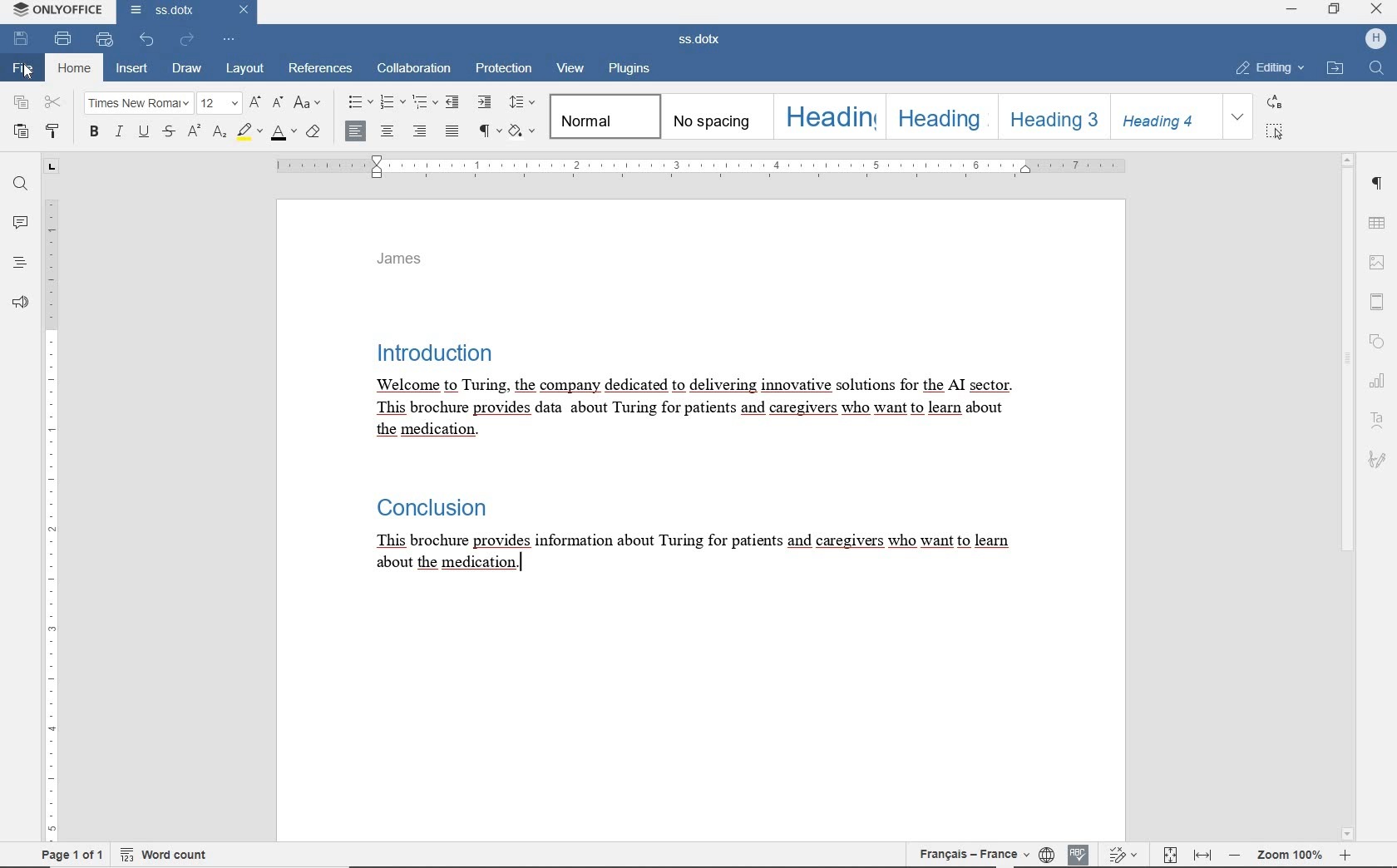  What do you see at coordinates (355, 131) in the screenshot?
I see `ALIGN LEFT` at bounding box center [355, 131].